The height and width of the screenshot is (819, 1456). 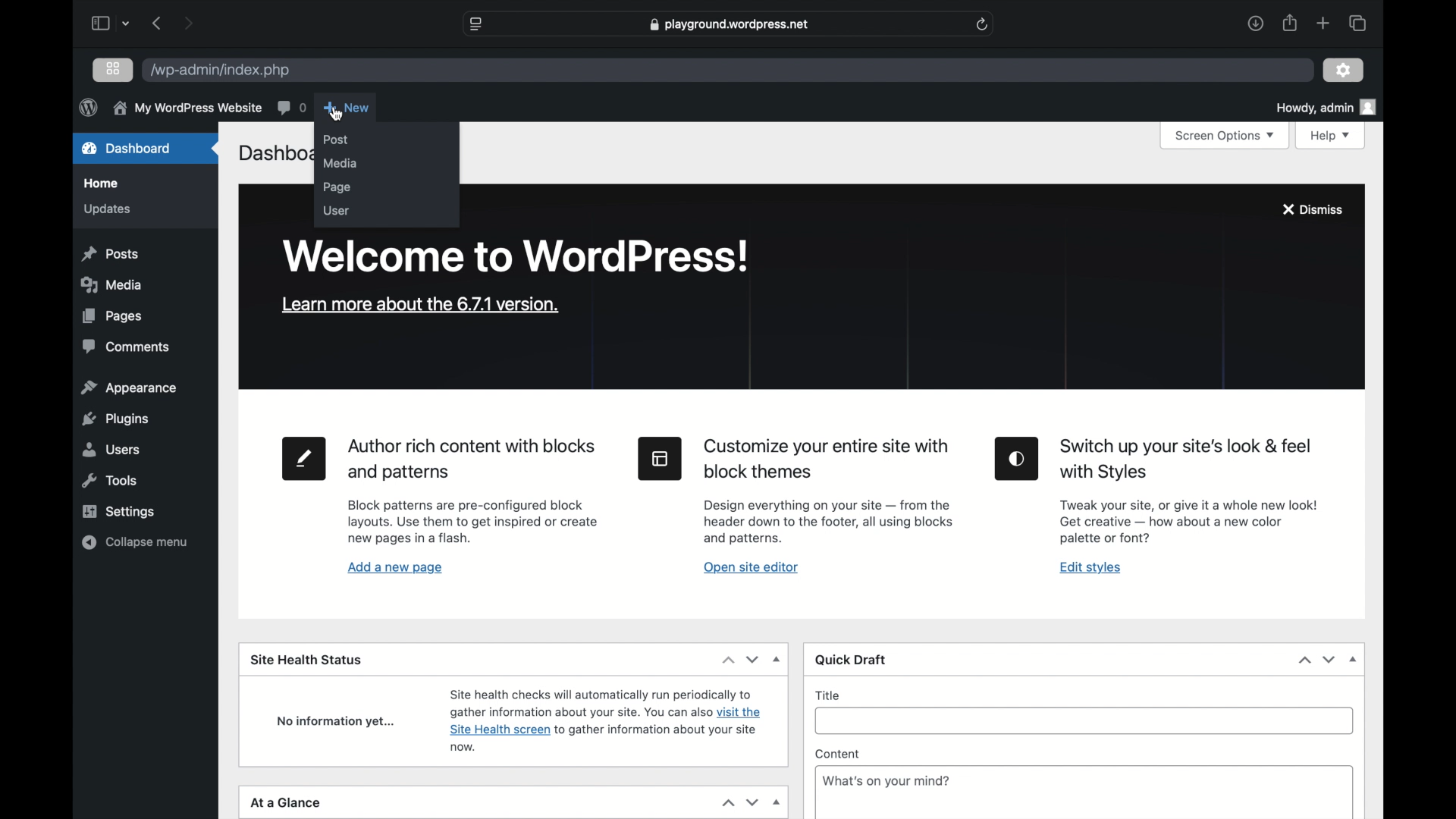 I want to click on new page, so click(x=306, y=459).